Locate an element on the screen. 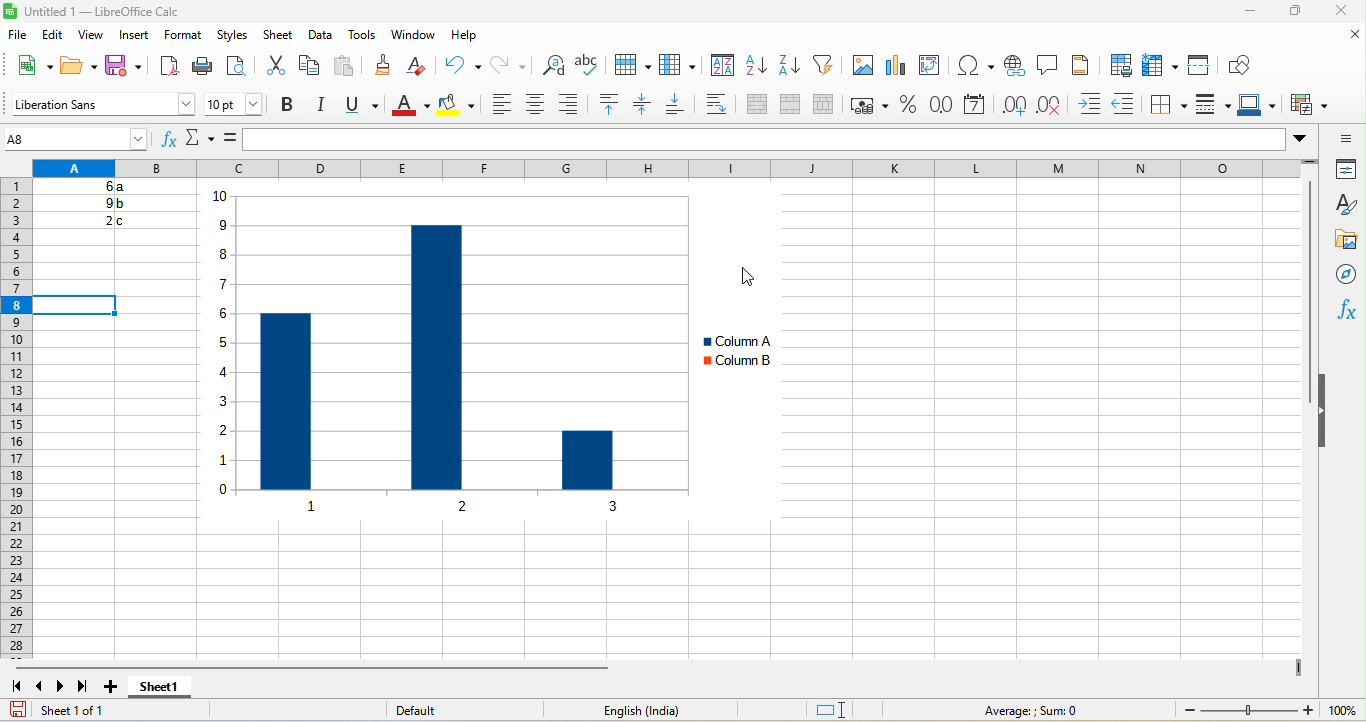 The image size is (1366, 722). date is located at coordinates (976, 106).